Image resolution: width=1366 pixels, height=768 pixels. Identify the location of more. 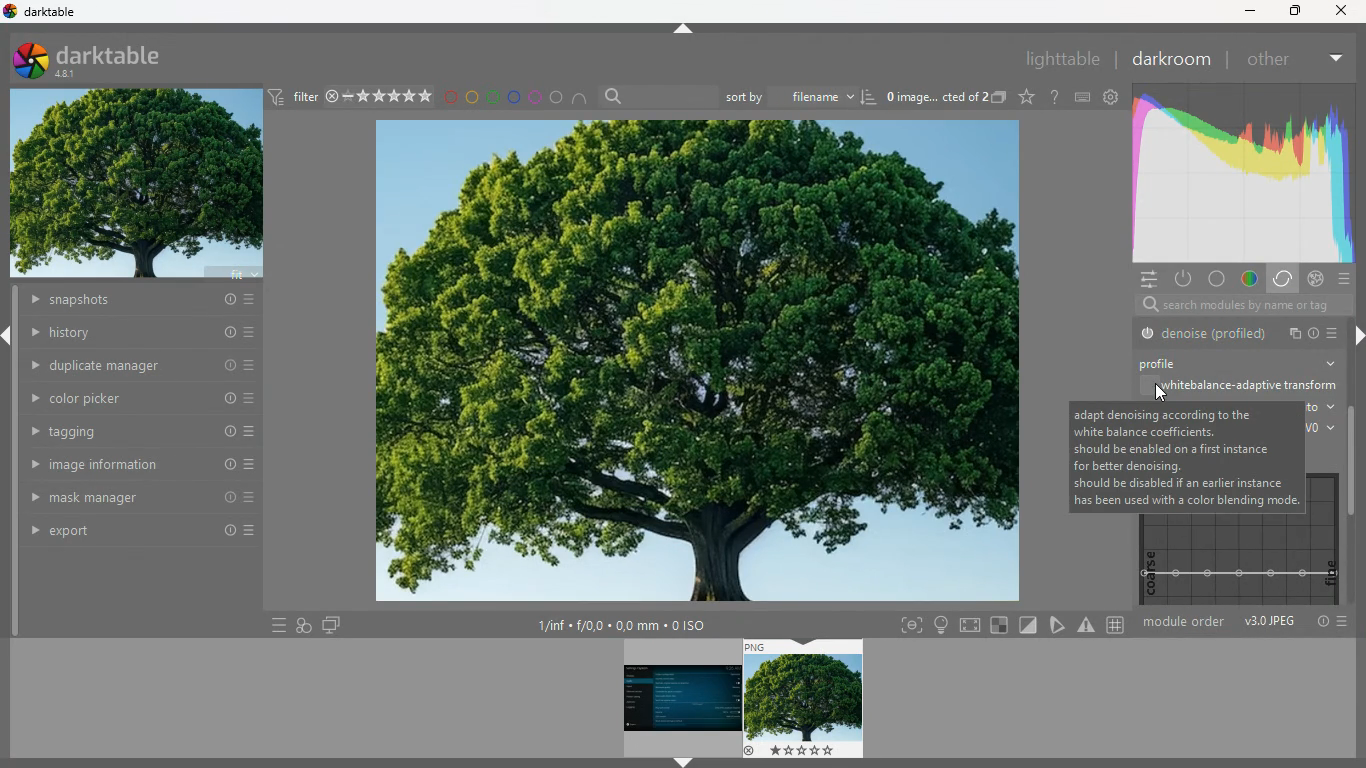
(1336, 332).